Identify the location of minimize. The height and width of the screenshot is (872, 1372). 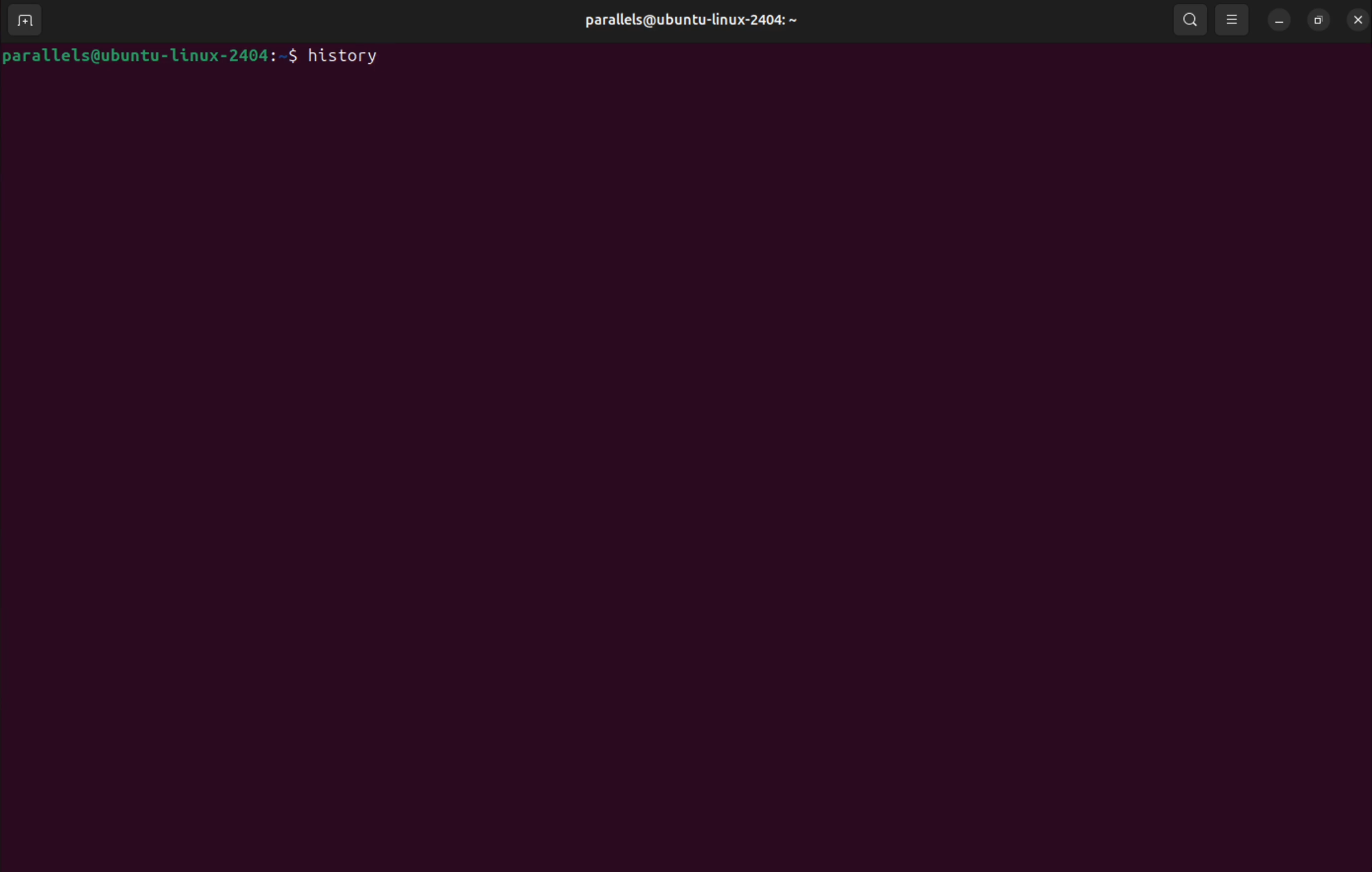
(1279, 18).